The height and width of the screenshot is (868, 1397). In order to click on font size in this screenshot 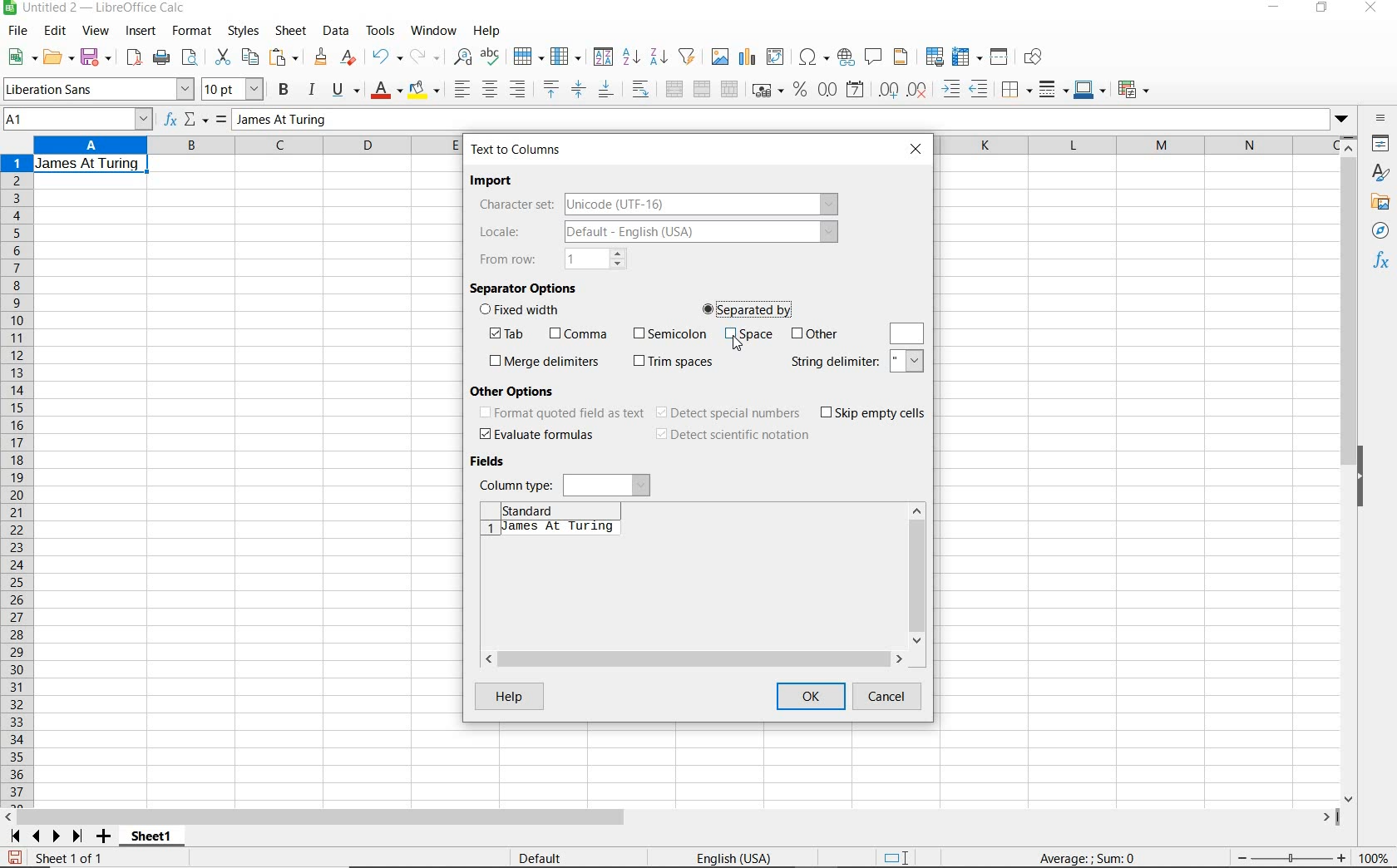, I will do `click(234, 89)`.